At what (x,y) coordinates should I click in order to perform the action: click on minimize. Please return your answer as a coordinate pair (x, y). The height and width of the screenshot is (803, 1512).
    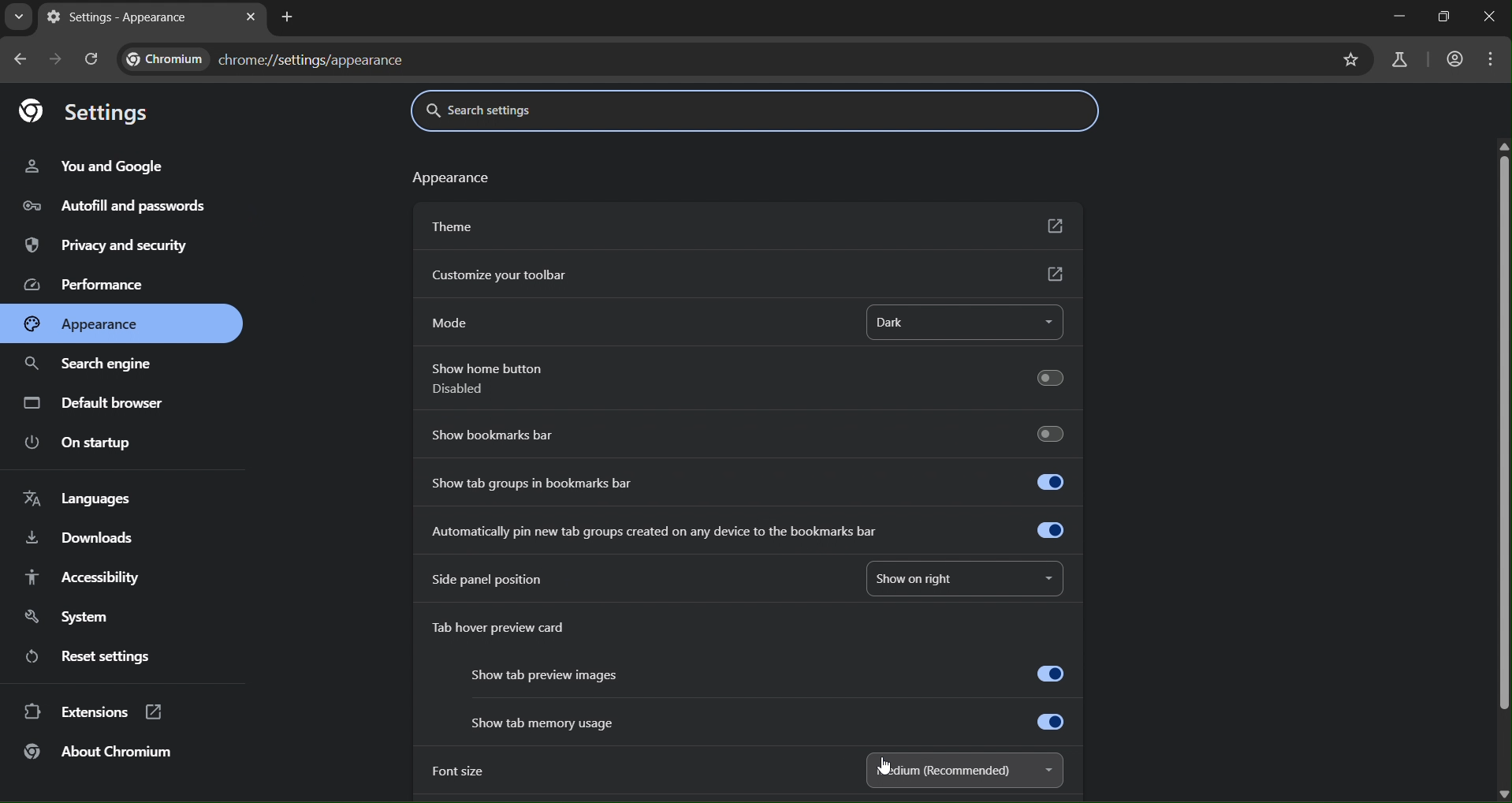
    Looking at the image, I should click on (1401, 17).